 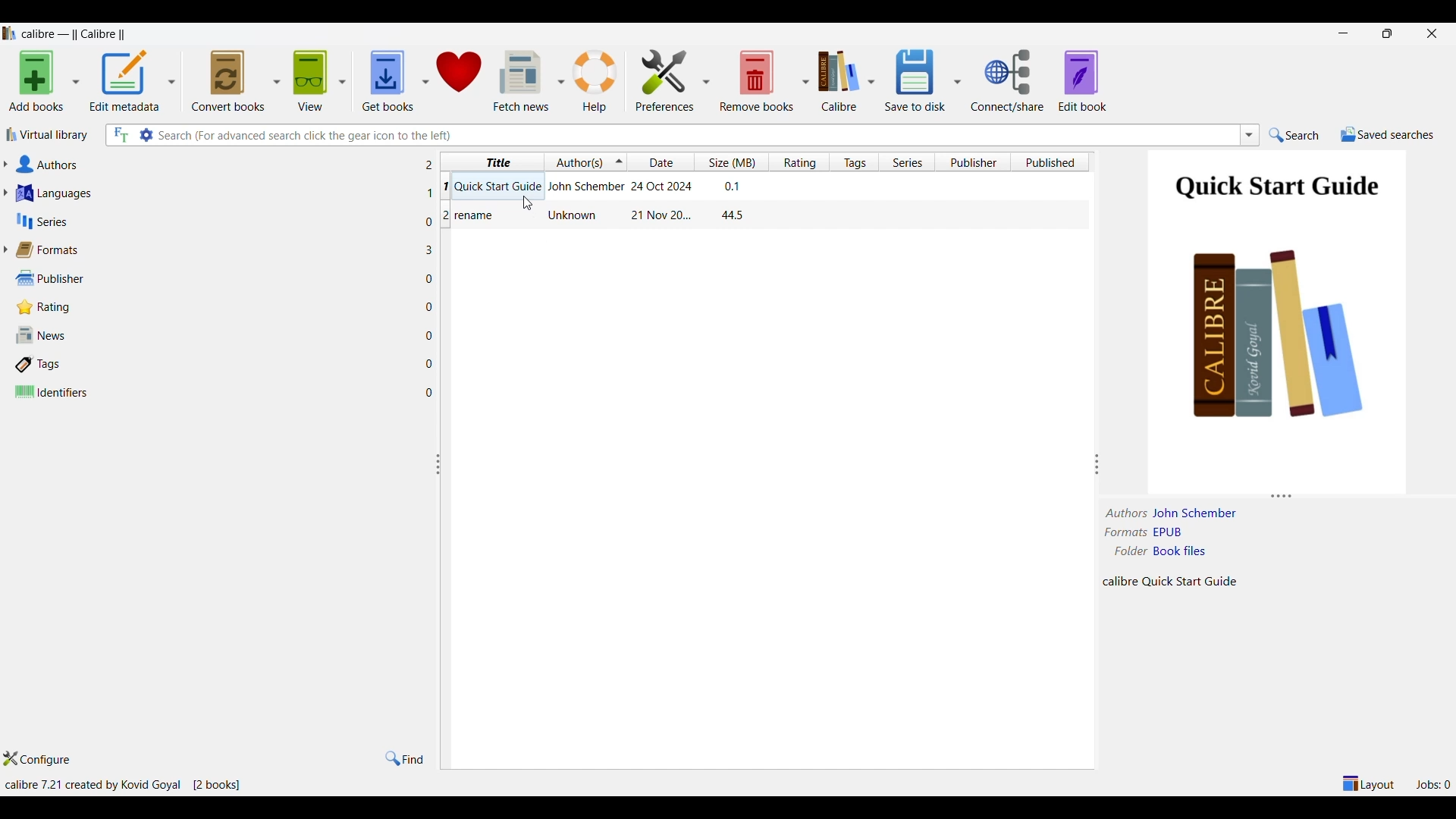 I want to click on Identifiers, so click(x=216, y=393).